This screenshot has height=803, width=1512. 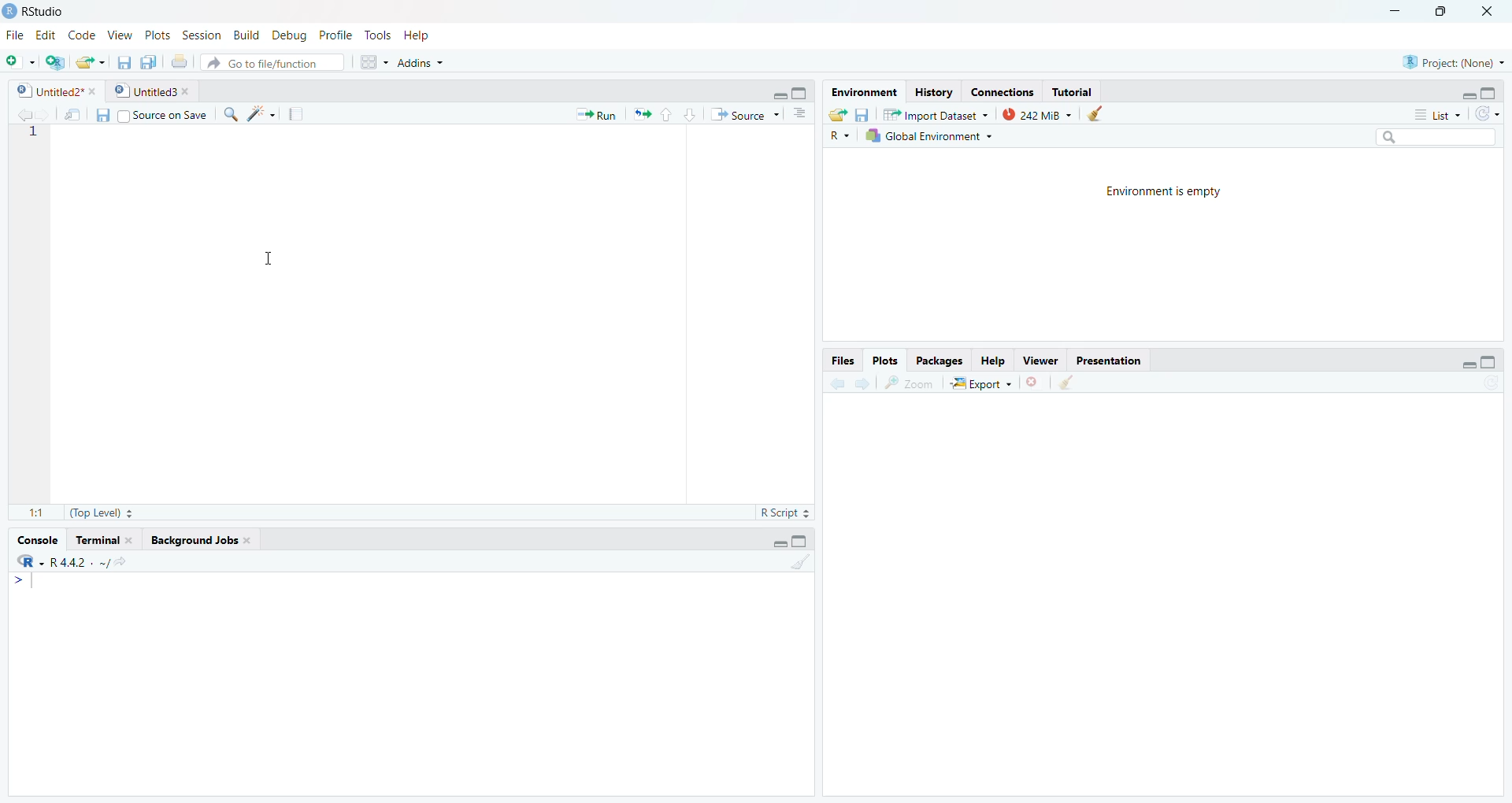 What do you see at coordinates (1066, 383) in the screenshot?
I see `cleaner` at bounding box center [1066, 383].